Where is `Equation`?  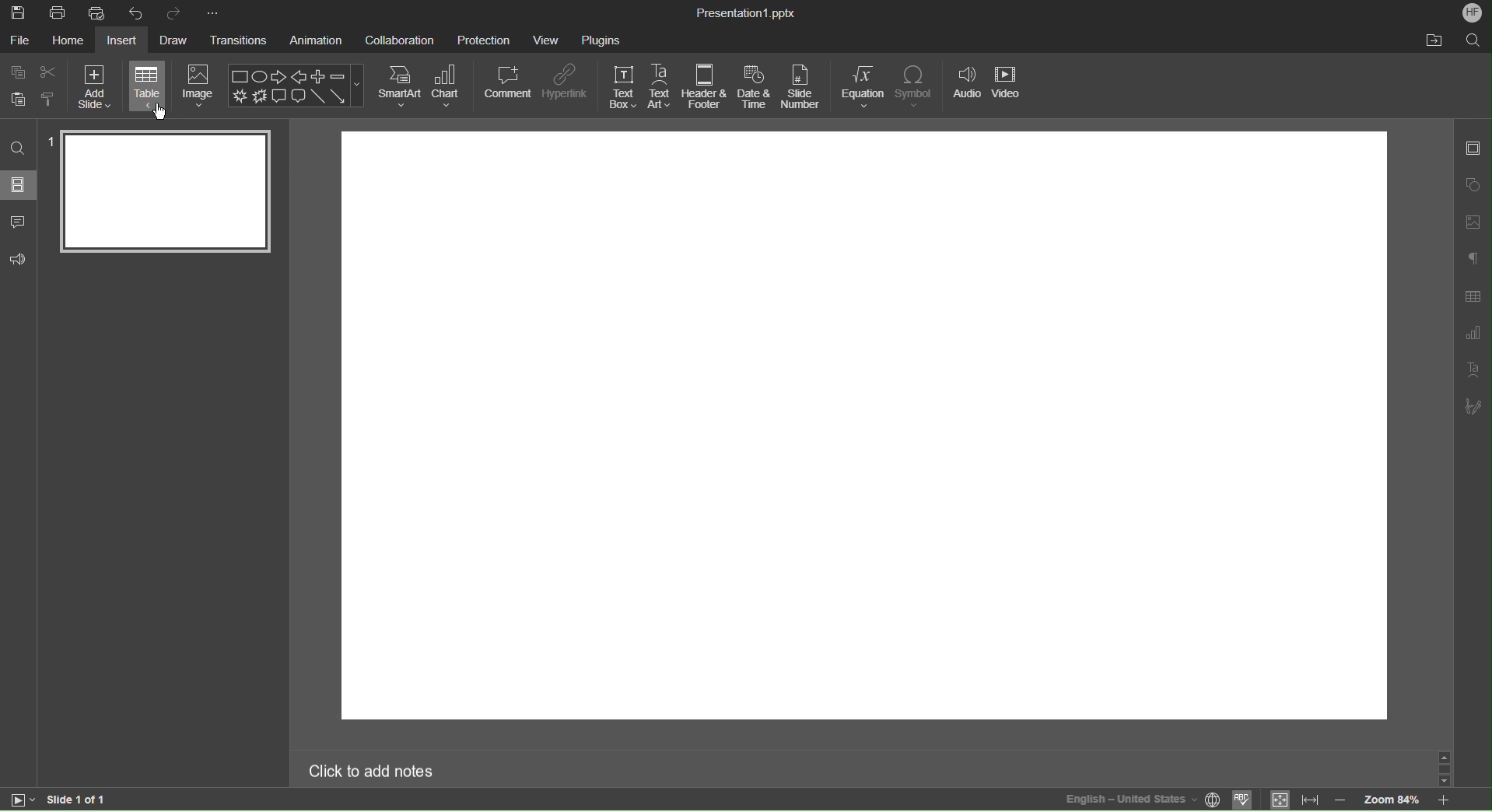 Equation is located at coordinates (863, 87).